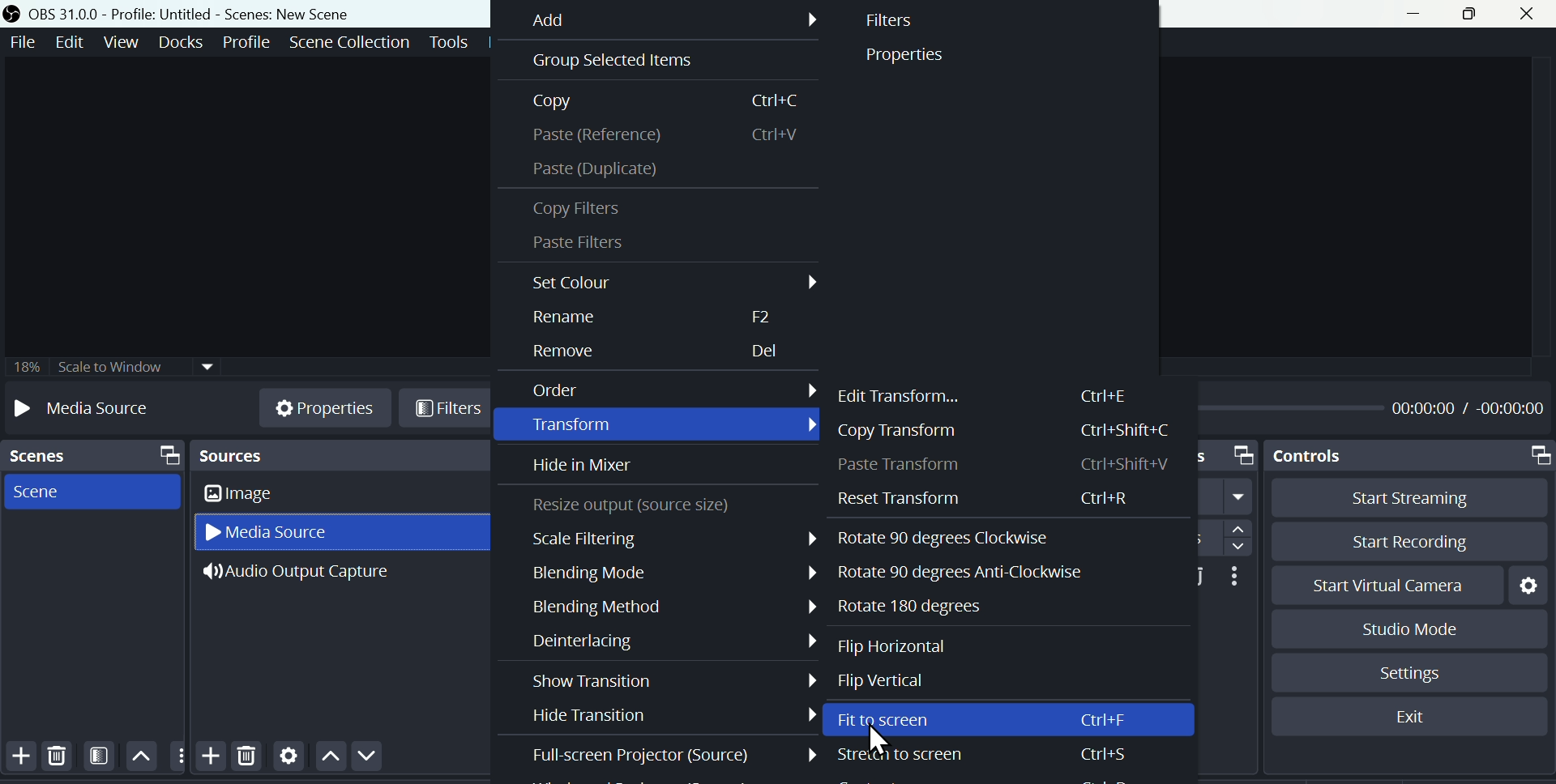 This screenshot has height=784, width=1556. I want to click on Add, so click(674, 20).